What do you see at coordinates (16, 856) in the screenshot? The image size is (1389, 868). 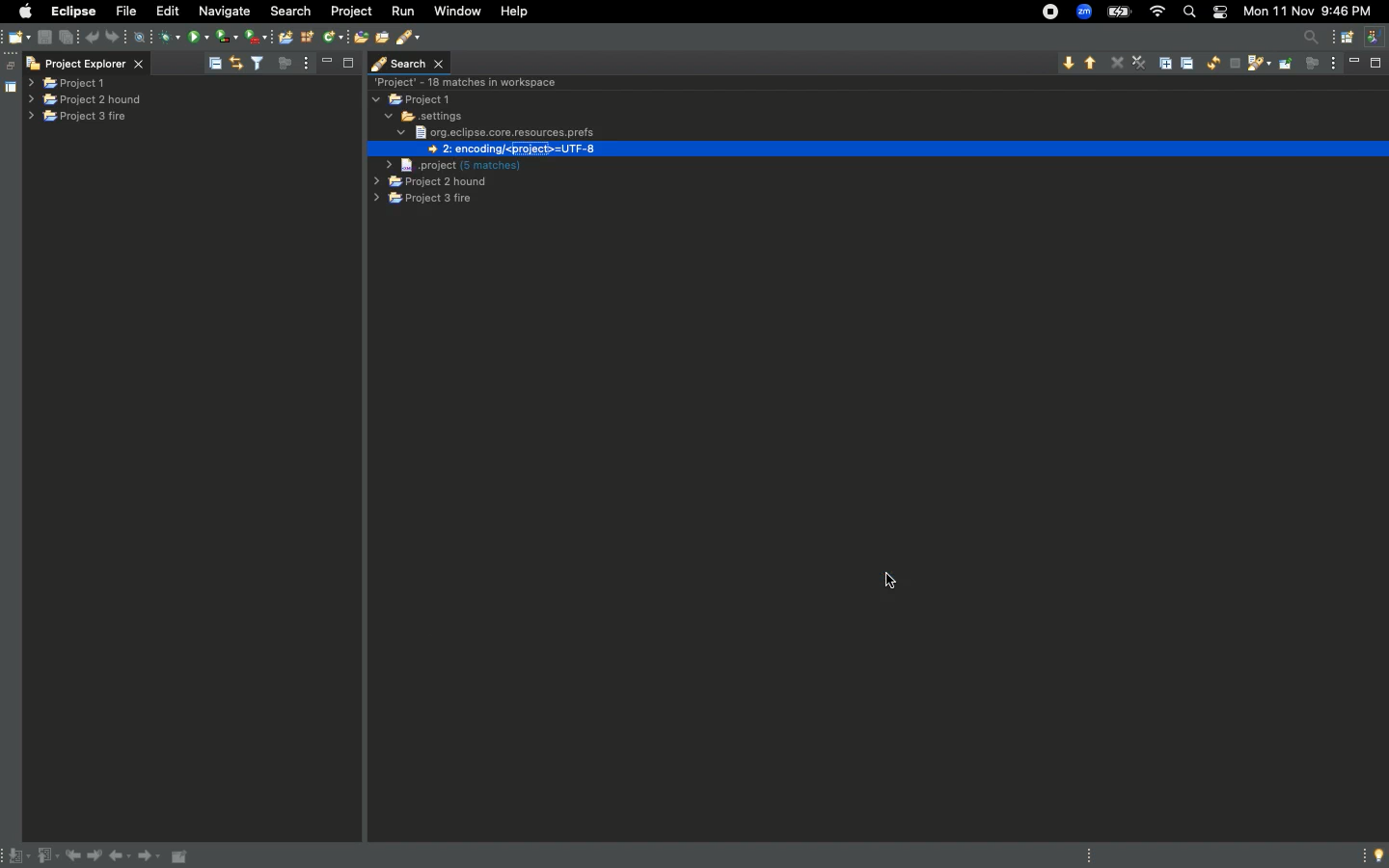 I see `Next annotation` at bounding box center [16, 856].